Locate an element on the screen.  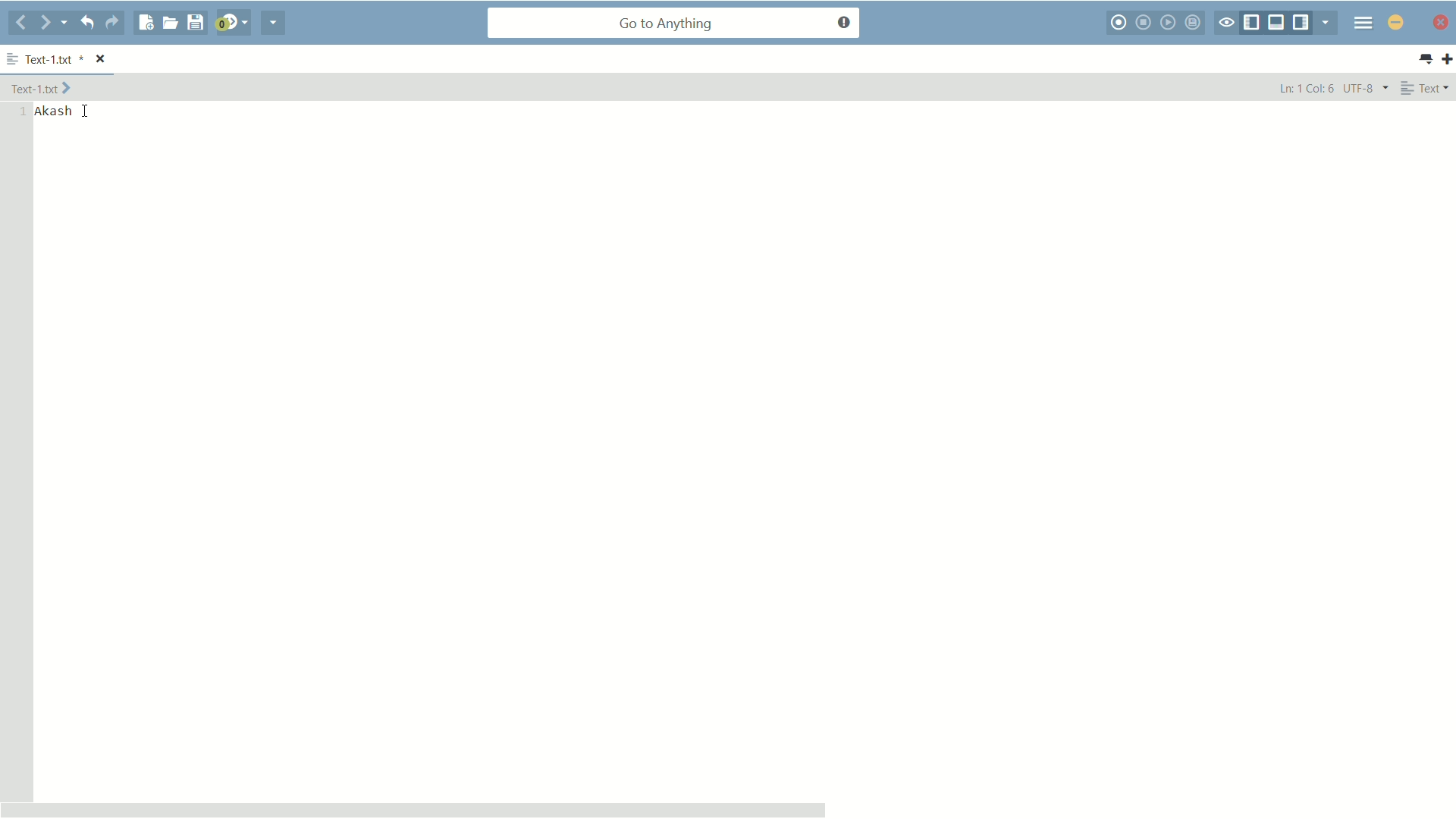
scroll bar is located at coordinates (414, 809).